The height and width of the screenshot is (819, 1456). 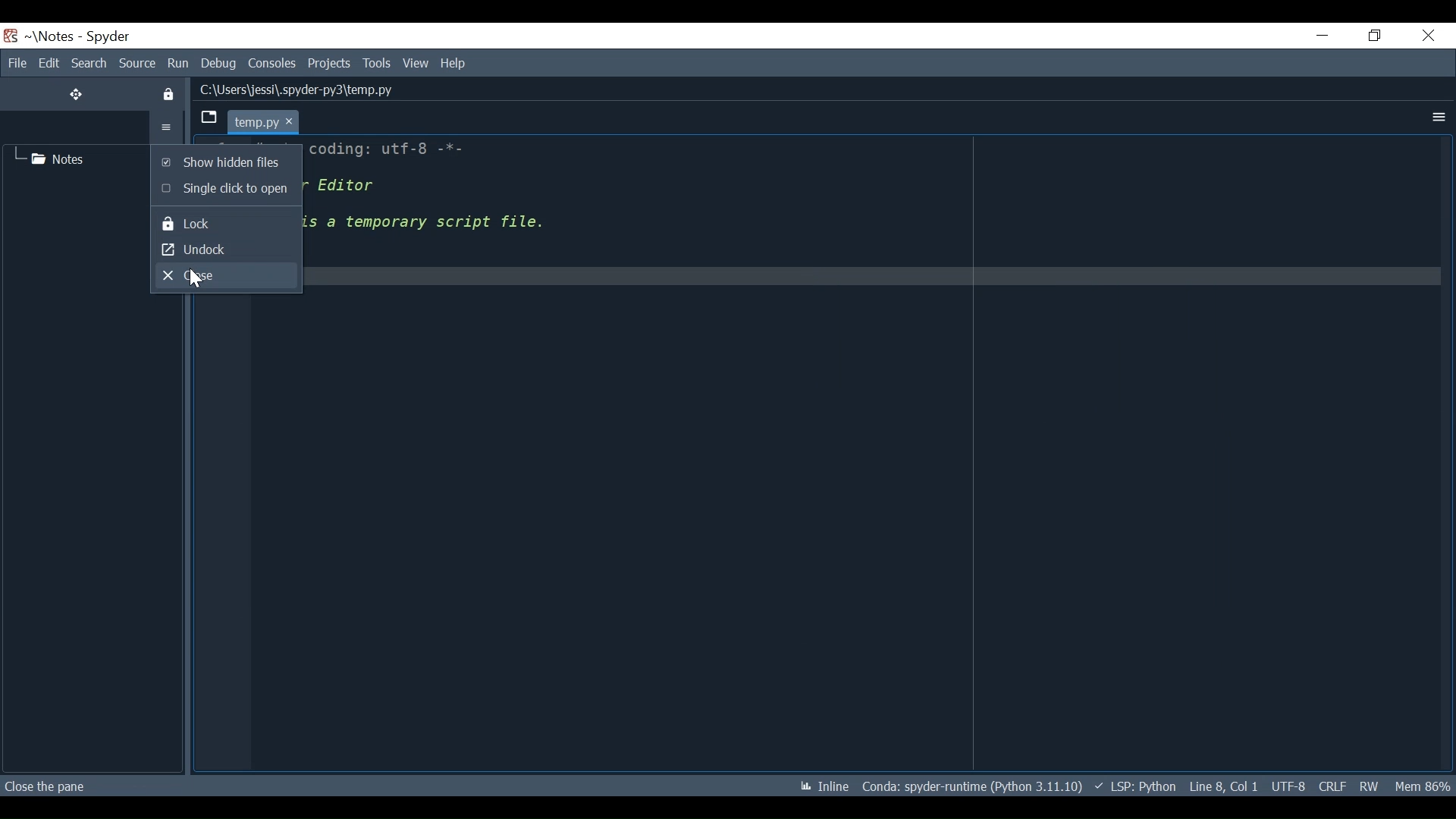 I want to click on Projects, so click(x=330, y=64).